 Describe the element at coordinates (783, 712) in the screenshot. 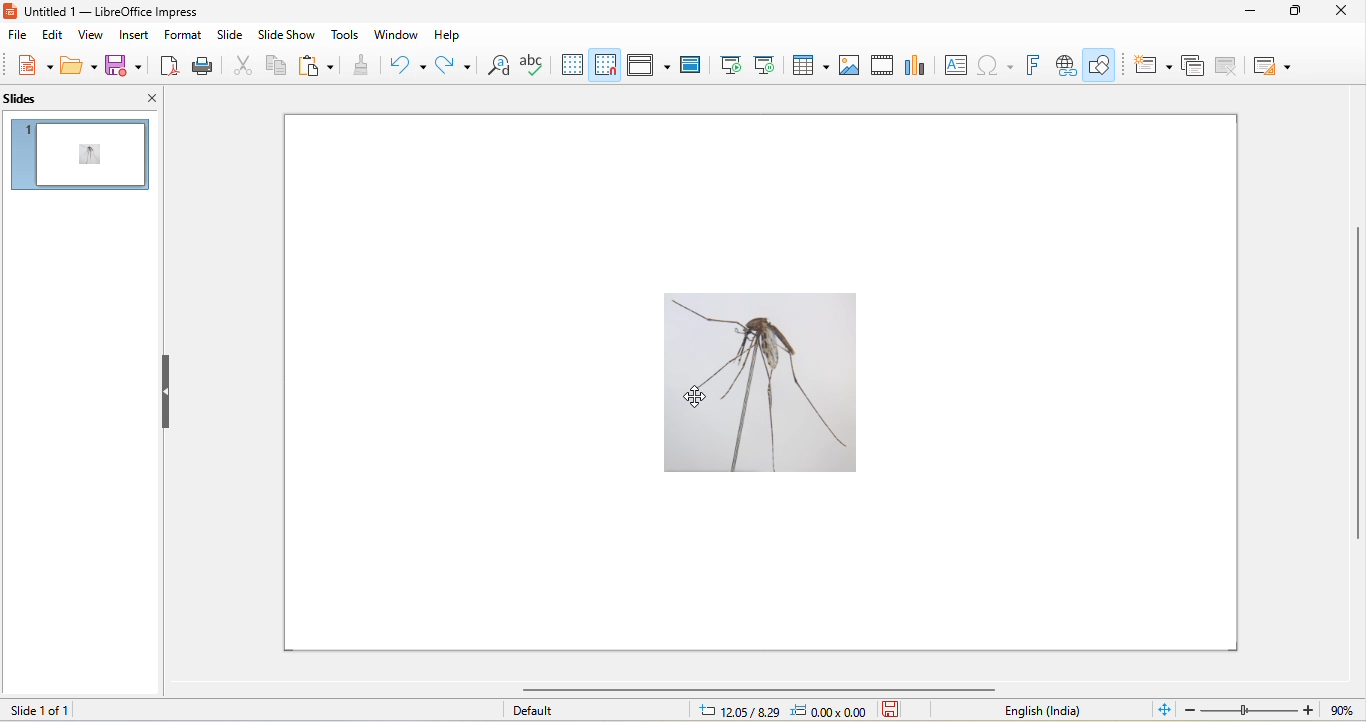

I see `cursor and object position` at that location.